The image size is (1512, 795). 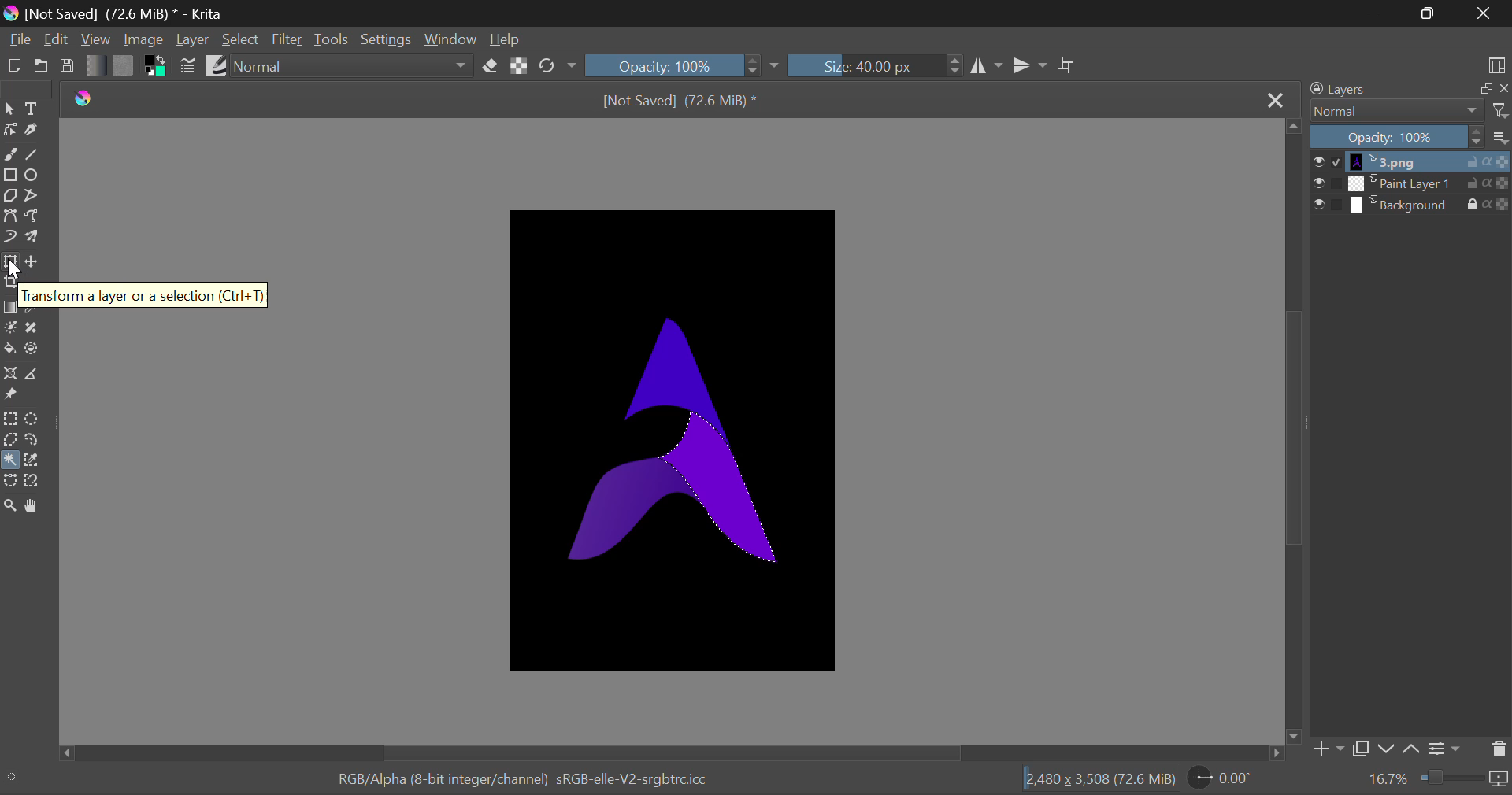 What do you see at coordinates (13, 175) in the screenshot?
I see `Rectangle` at bounding box center [13, 175].